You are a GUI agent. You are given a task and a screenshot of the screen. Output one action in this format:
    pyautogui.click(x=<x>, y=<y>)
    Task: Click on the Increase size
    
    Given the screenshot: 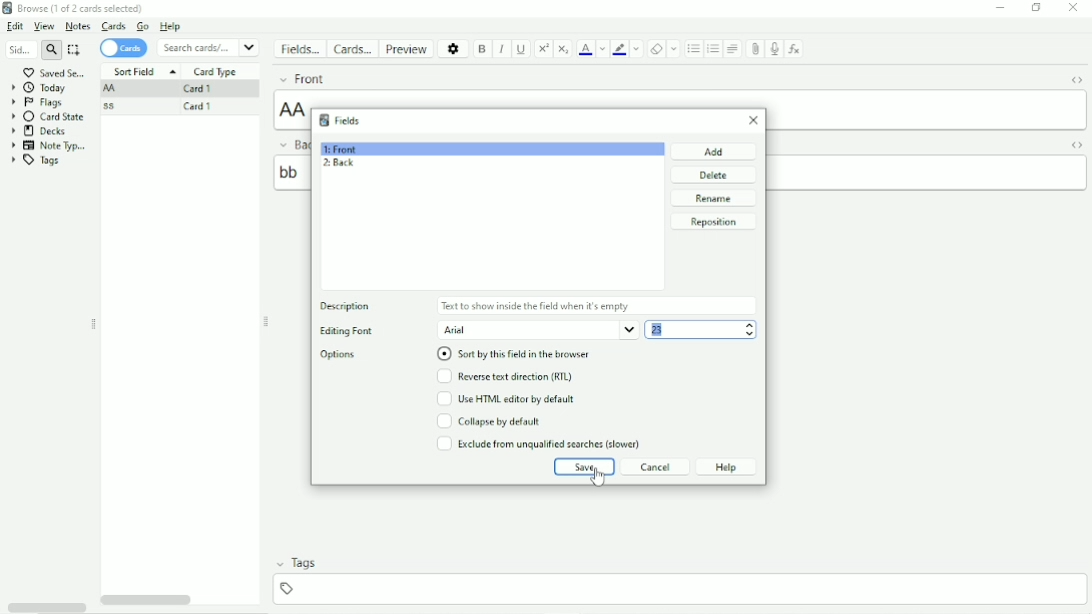 What is the action you would take?
    pyautogui.click(x=750, y=325)
    